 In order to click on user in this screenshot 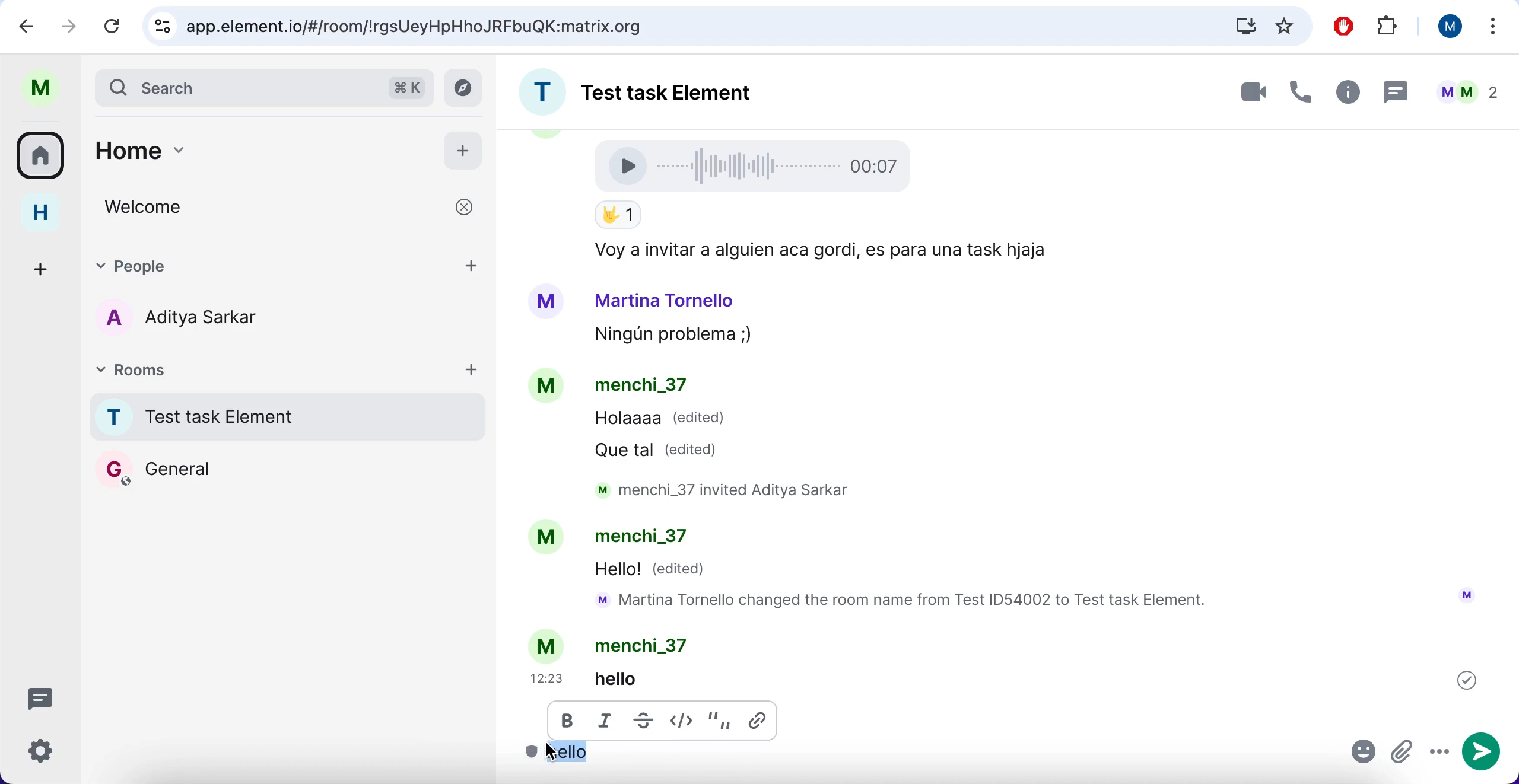, I will do `click(46, 88)`.